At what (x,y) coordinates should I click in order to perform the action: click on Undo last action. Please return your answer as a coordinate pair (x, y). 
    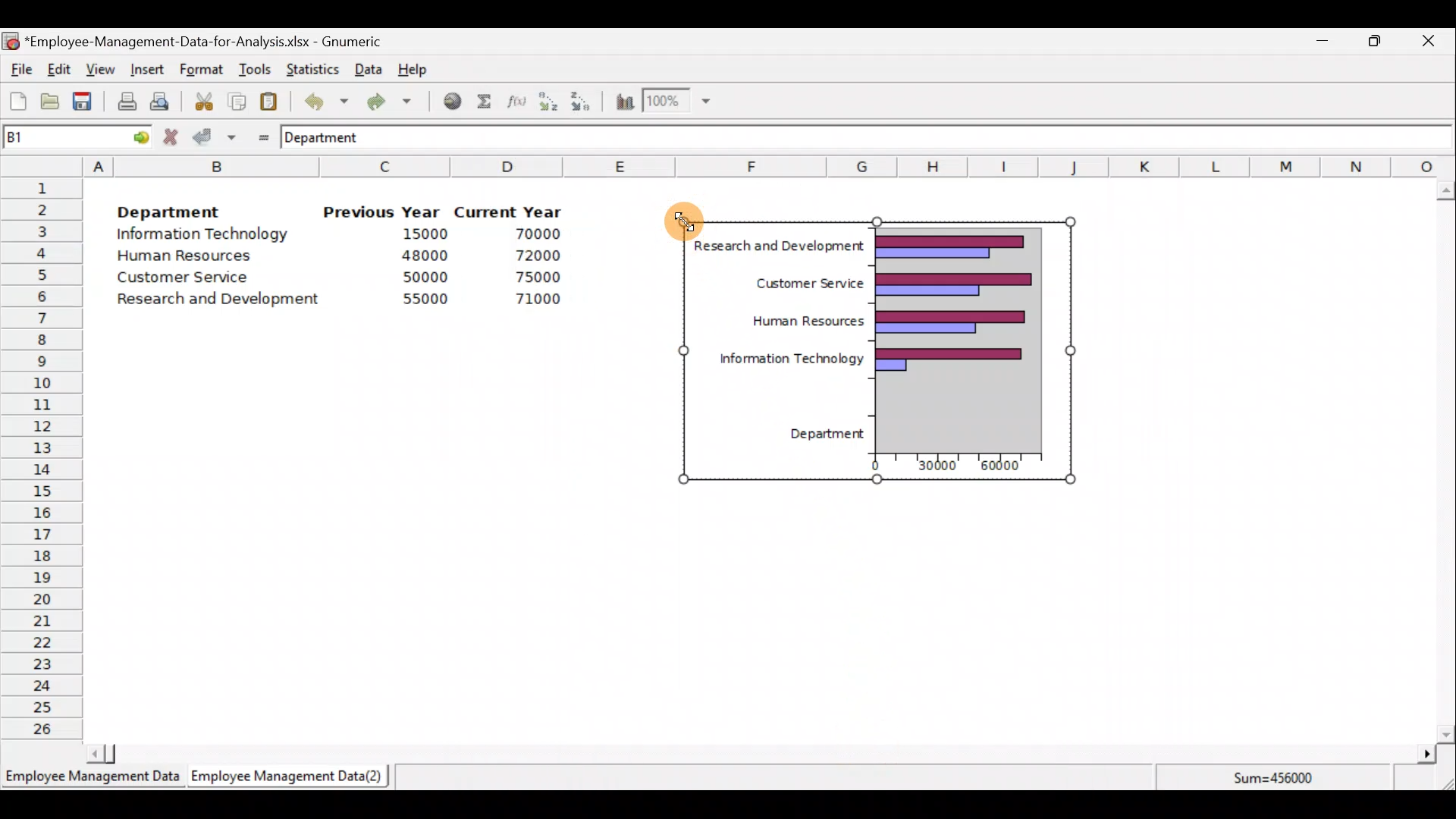
    Looking at the image, I should click on (318, 98).